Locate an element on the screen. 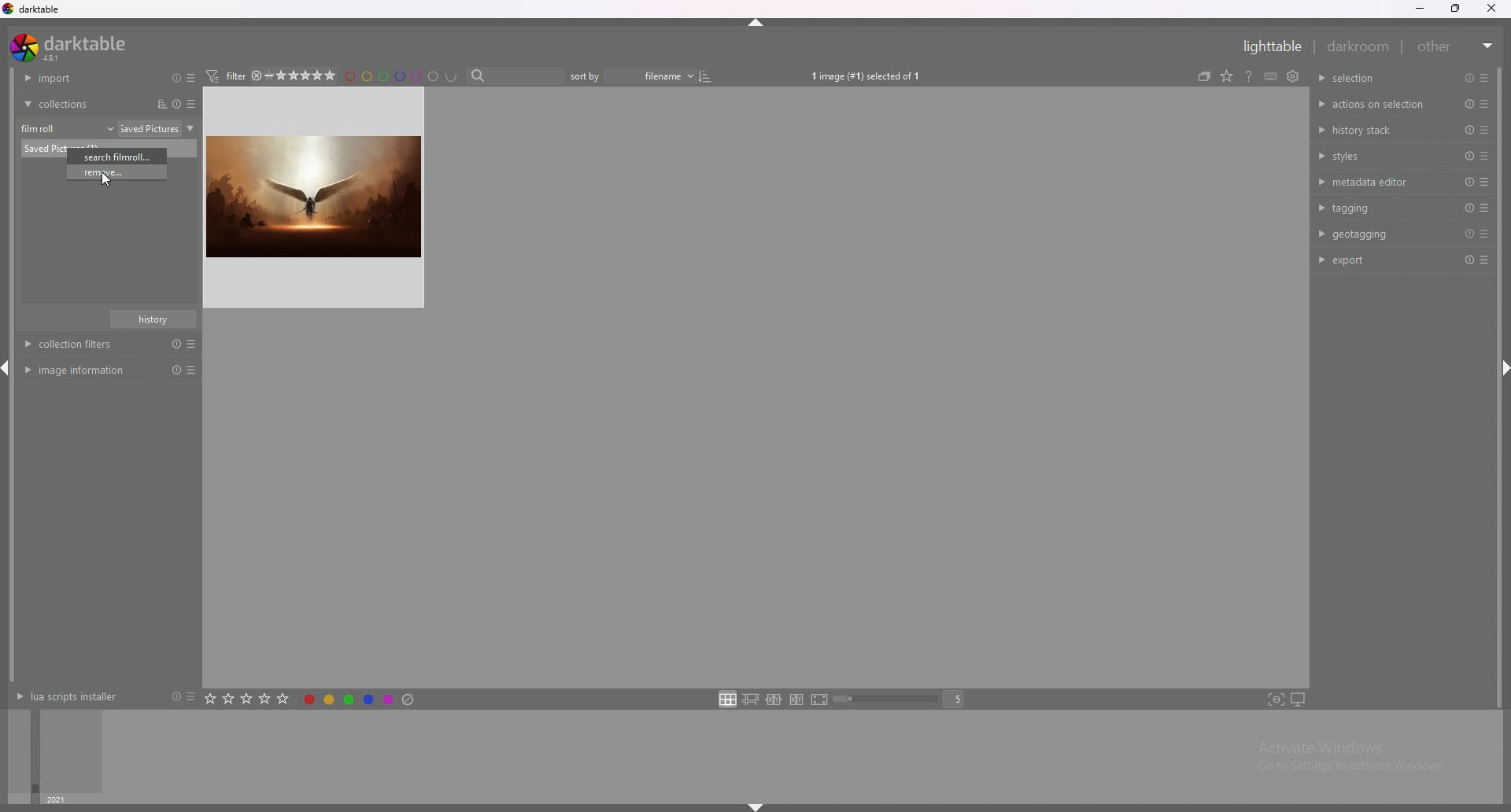 This screenshot has height=812, width=1511. darktable is located at coordinates (33, 9).